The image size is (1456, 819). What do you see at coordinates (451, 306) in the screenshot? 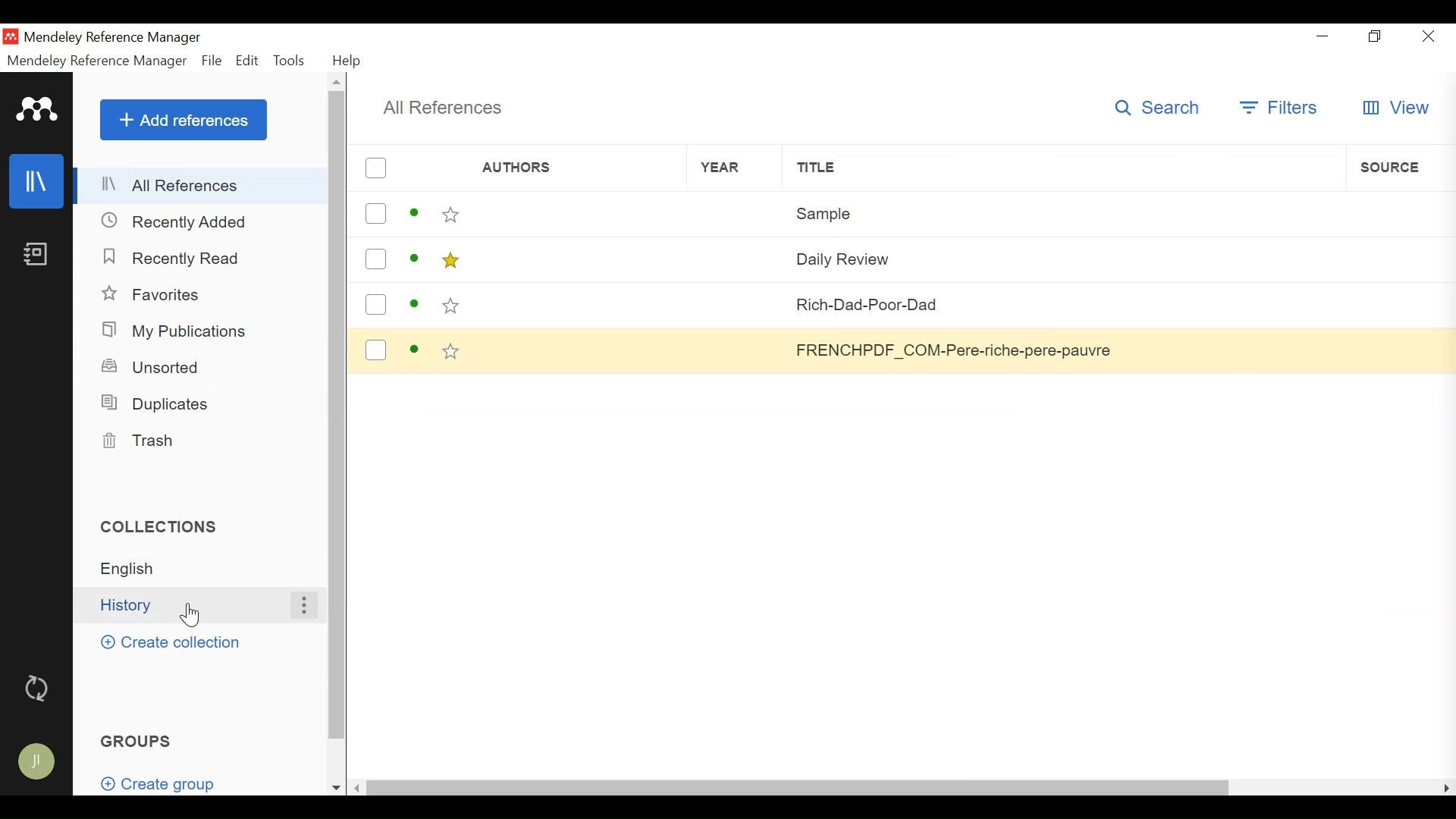
I see `Toggle favorites` at bounding box center [451, 306].